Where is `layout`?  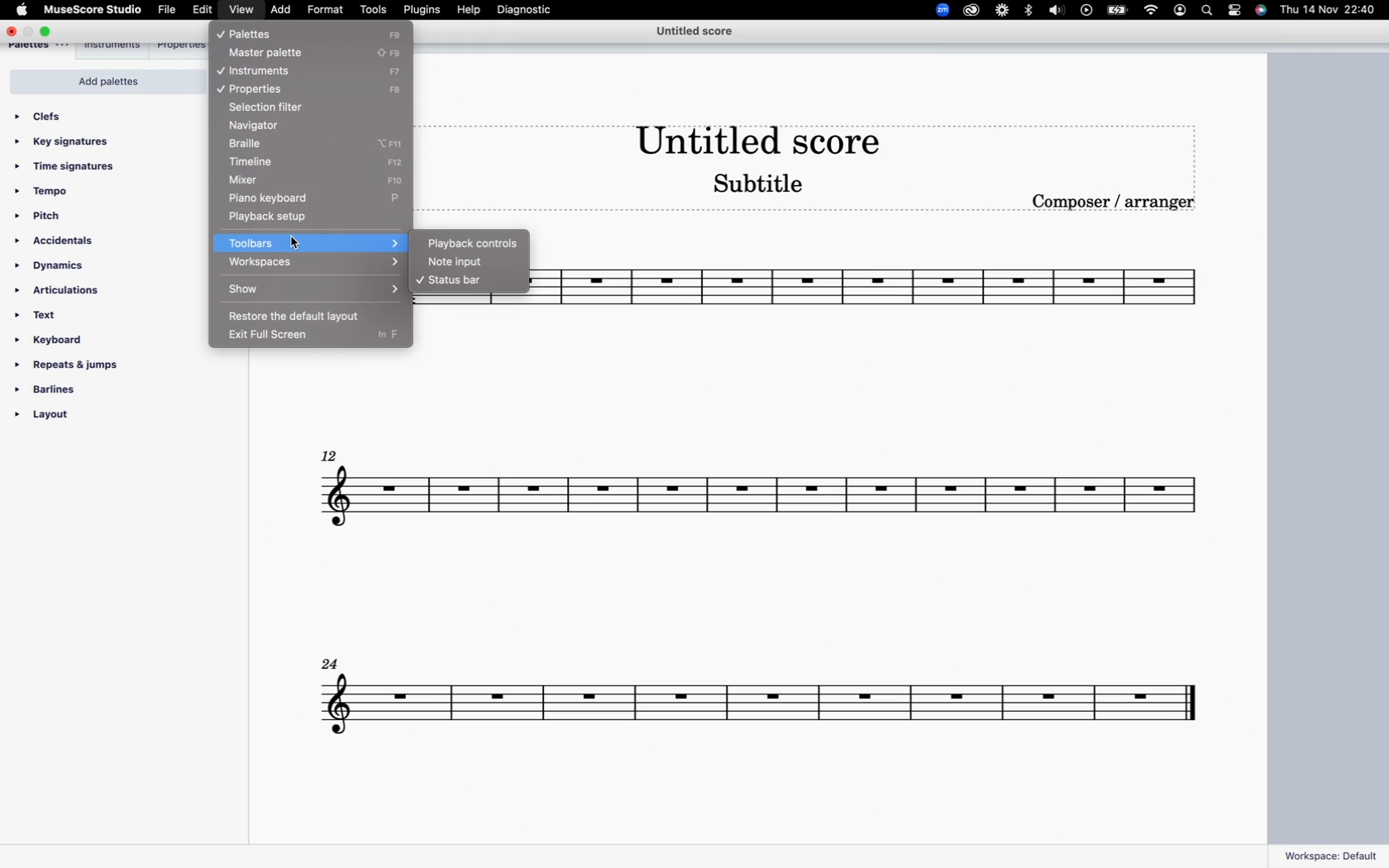 layout is located at coordinates (74, 418).